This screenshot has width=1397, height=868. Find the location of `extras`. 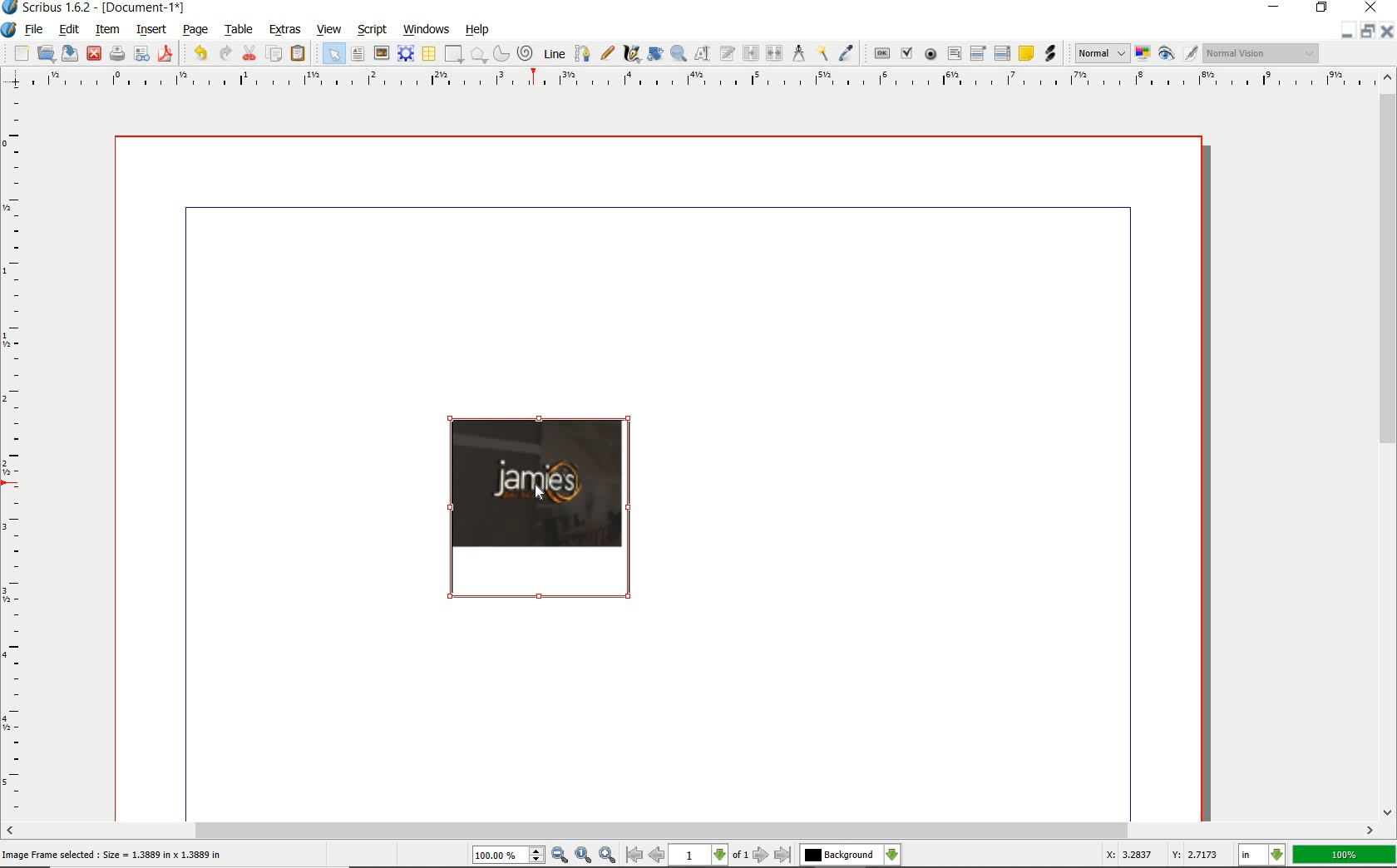

extras is located at coordinates (285, 28).